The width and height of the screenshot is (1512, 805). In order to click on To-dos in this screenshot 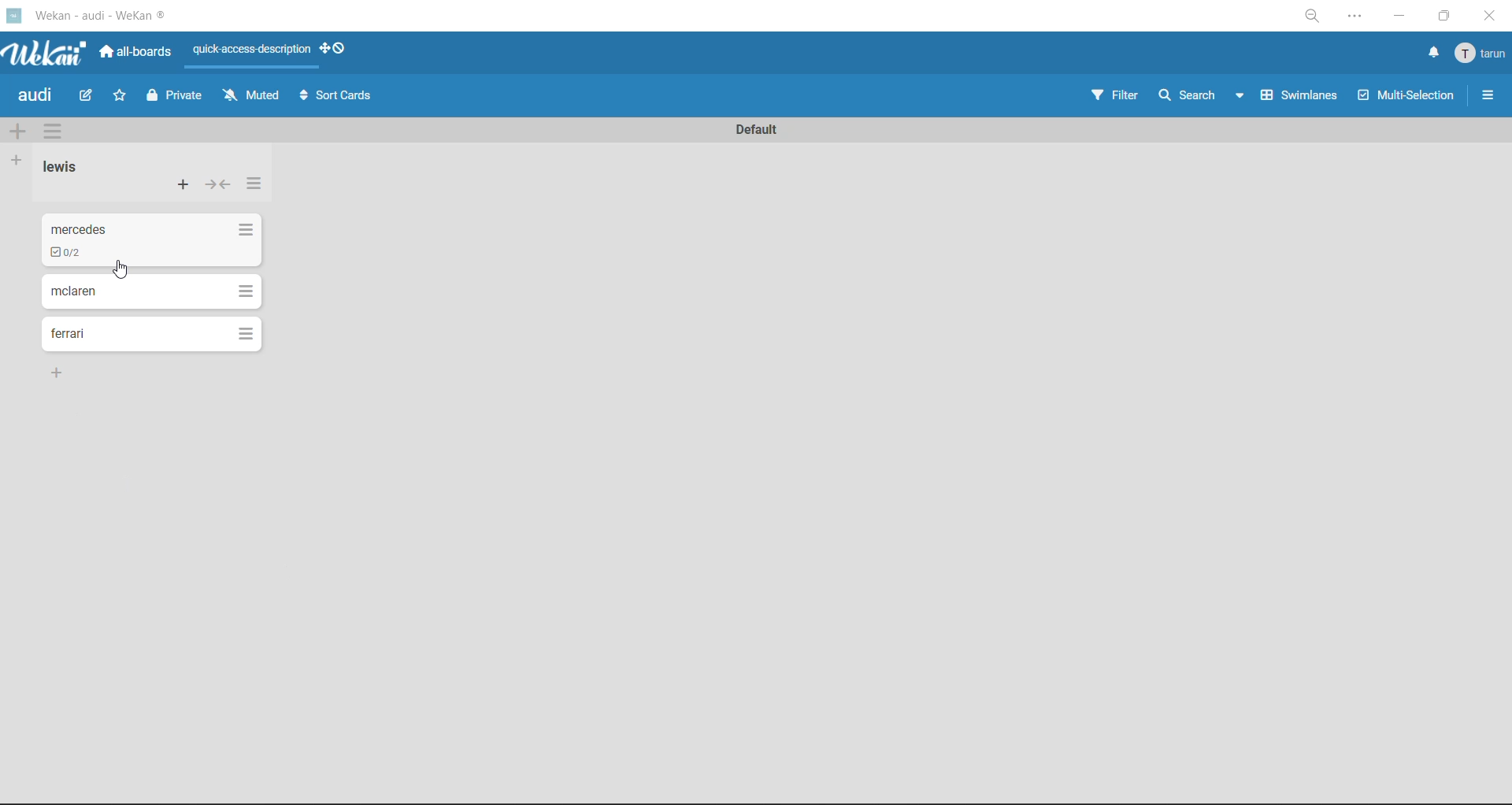, I will do `click(65, 253)`.